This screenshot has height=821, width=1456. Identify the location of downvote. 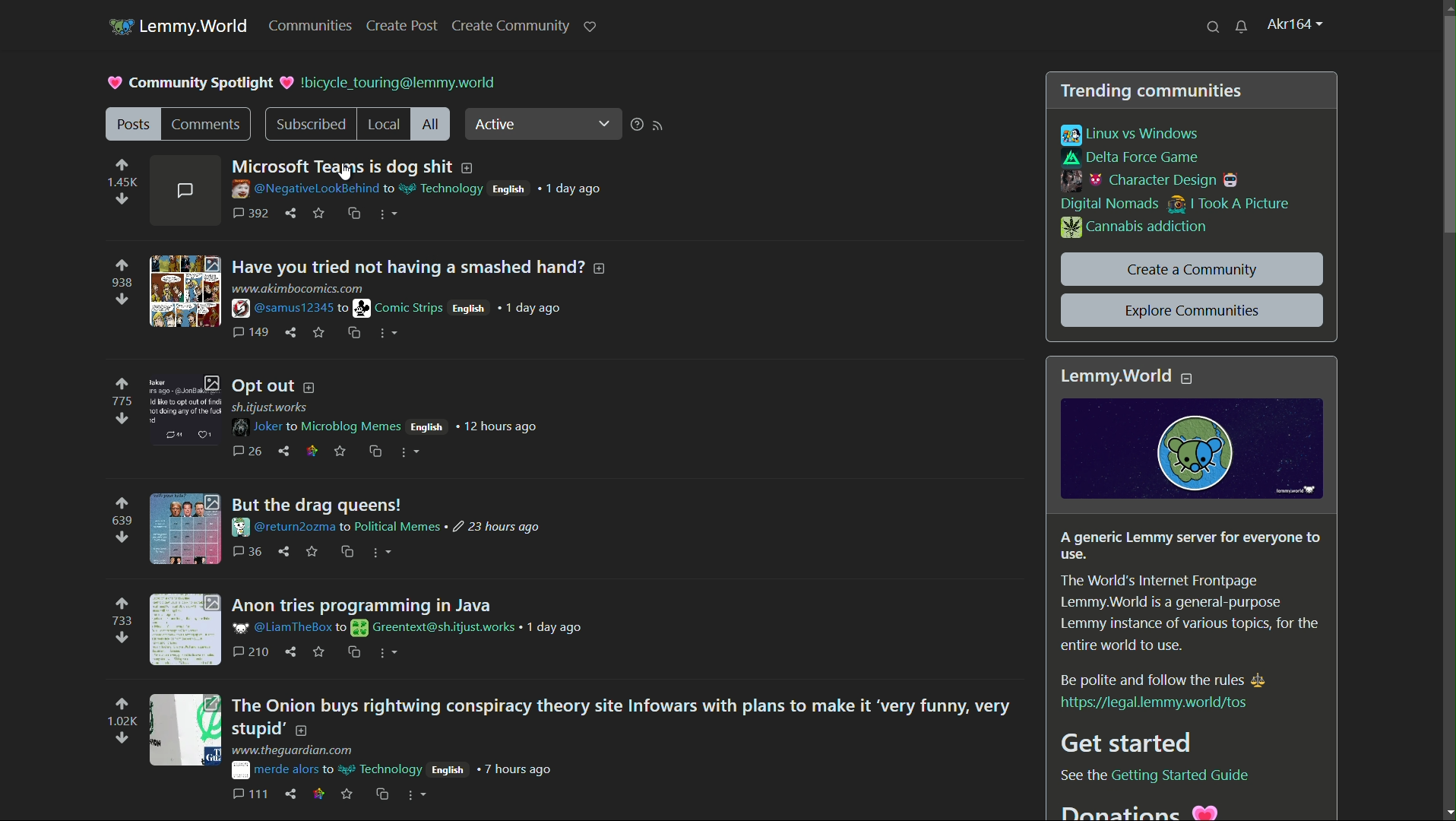
(125, 298).